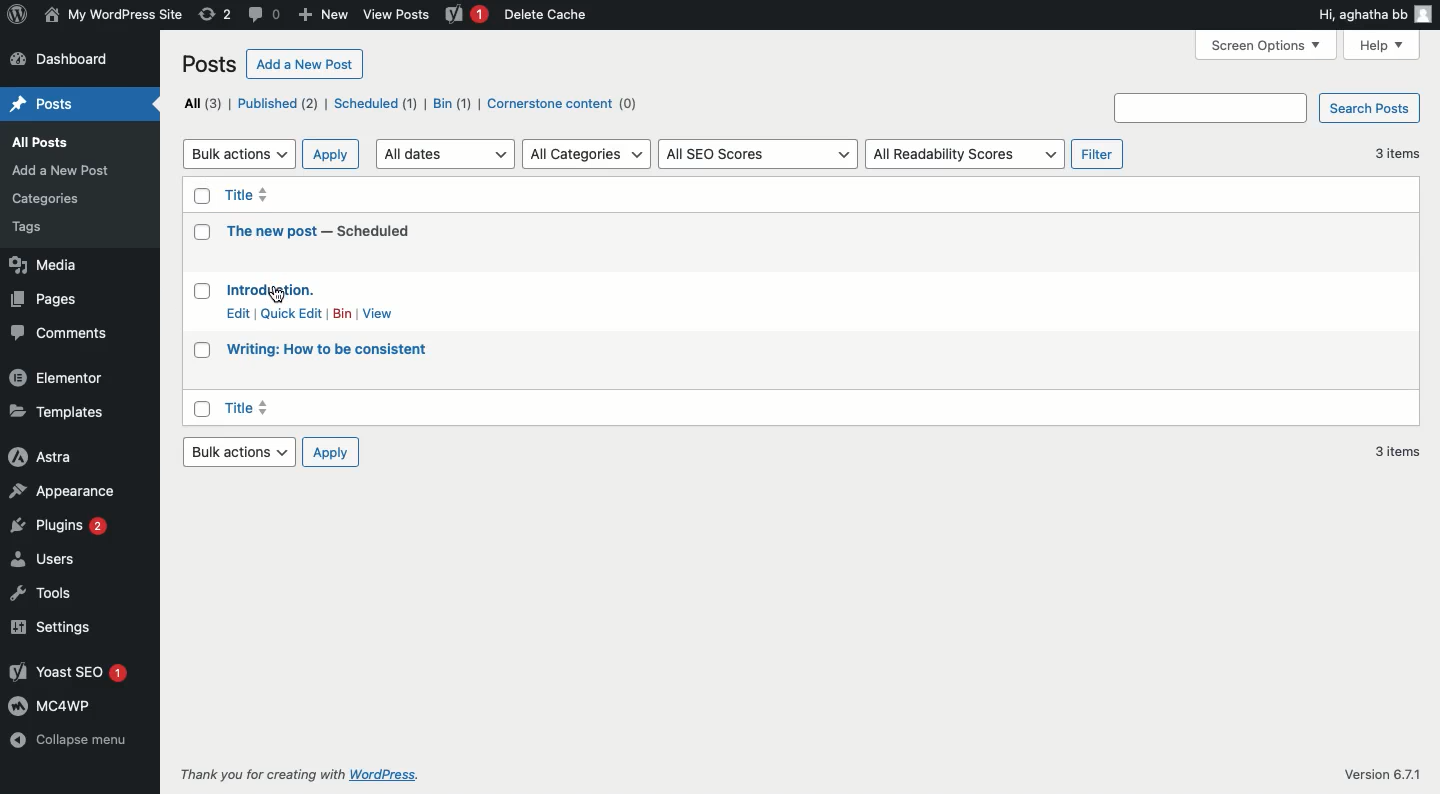  What do you see at coordinates (1396, 450) in the screenshot?
I see `3 items` at bounding box center [1396, 450].